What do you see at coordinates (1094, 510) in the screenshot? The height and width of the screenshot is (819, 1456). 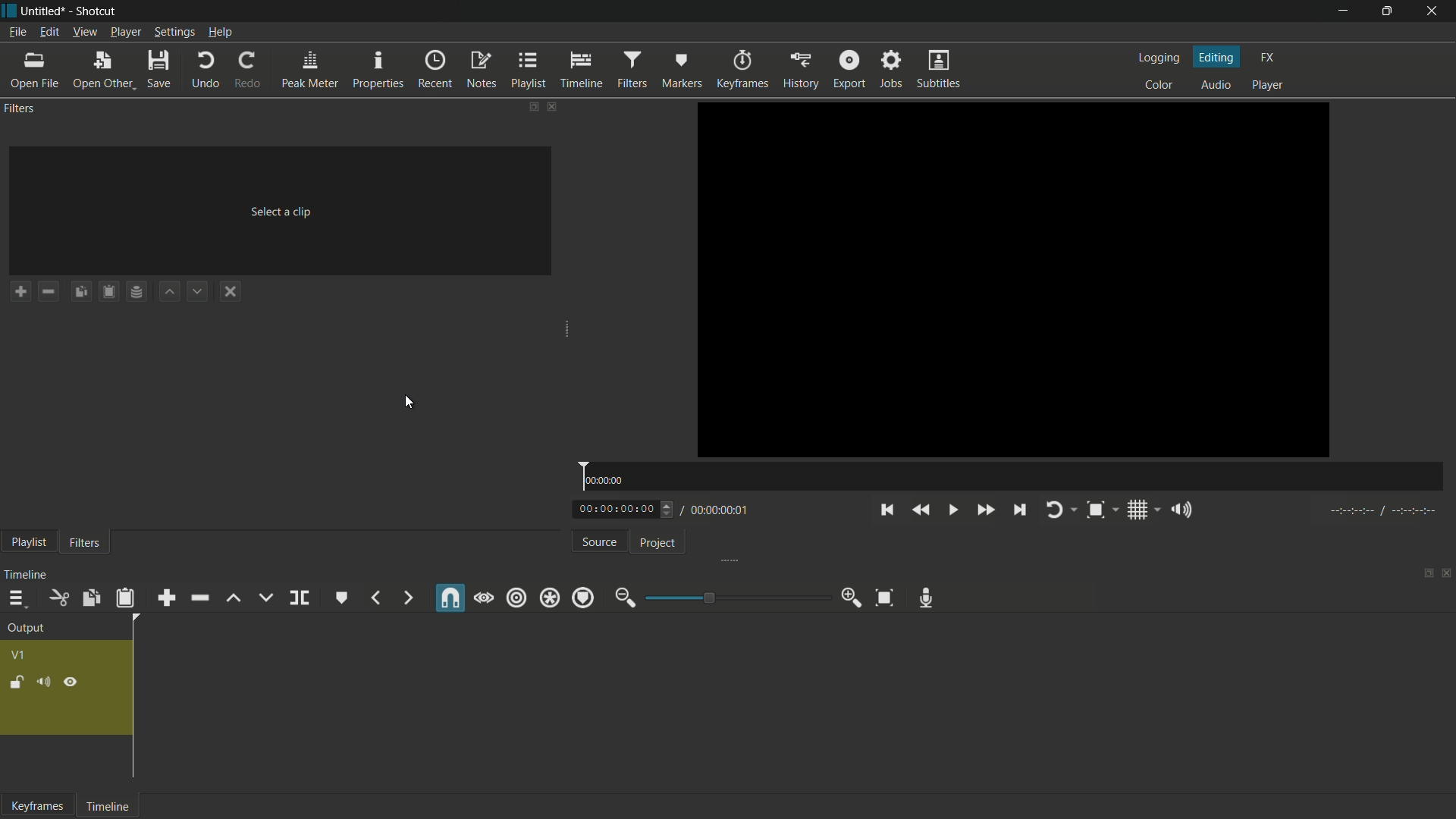 I see `zoom timeline to fit` at bounding box center [1094, 510].